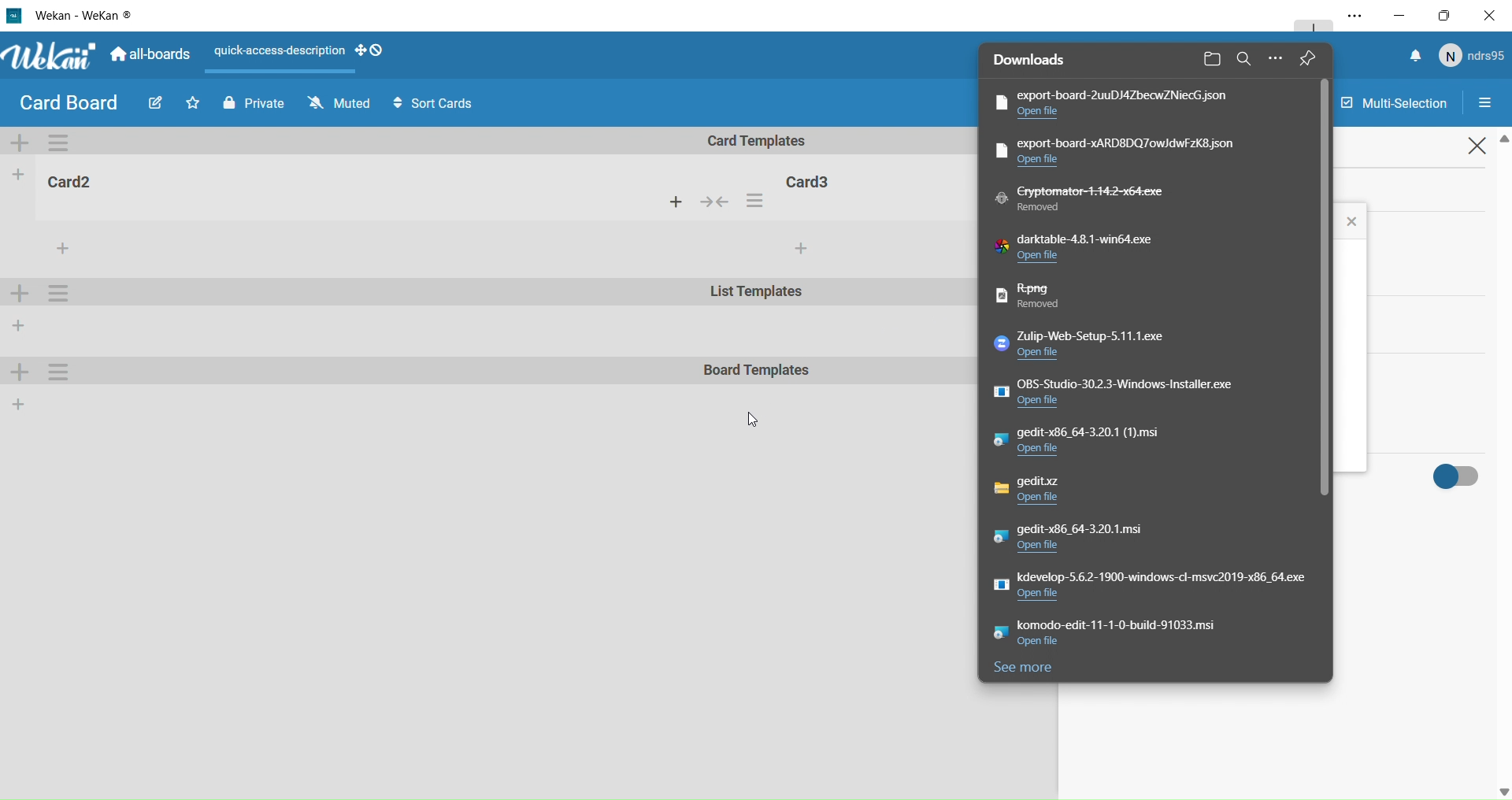 This screenshot has width=1512, height=800. Describe the element at coordinates (57, 143) in the screenshot. I see `` at that location.